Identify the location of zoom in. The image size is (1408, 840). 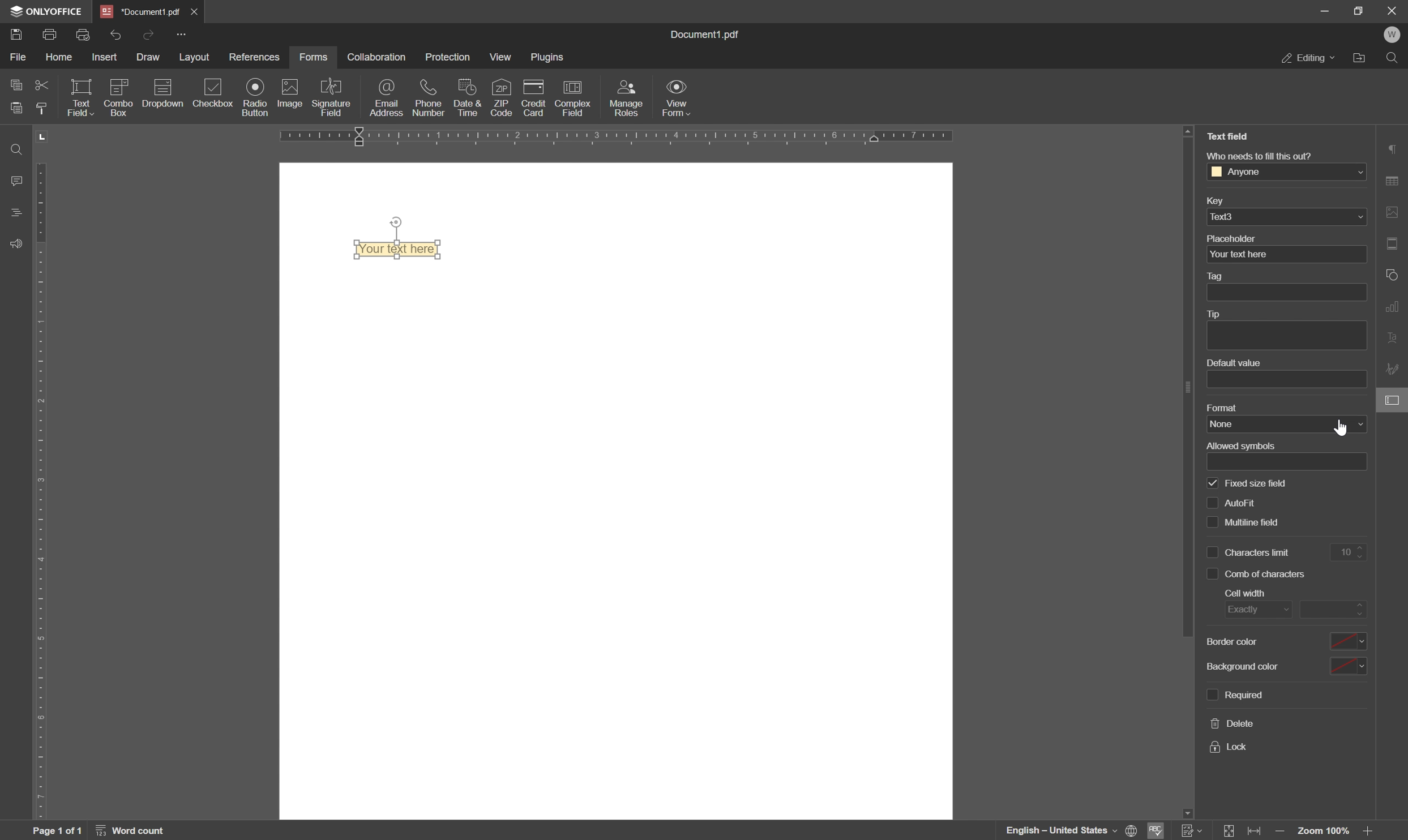
(1370, 832).